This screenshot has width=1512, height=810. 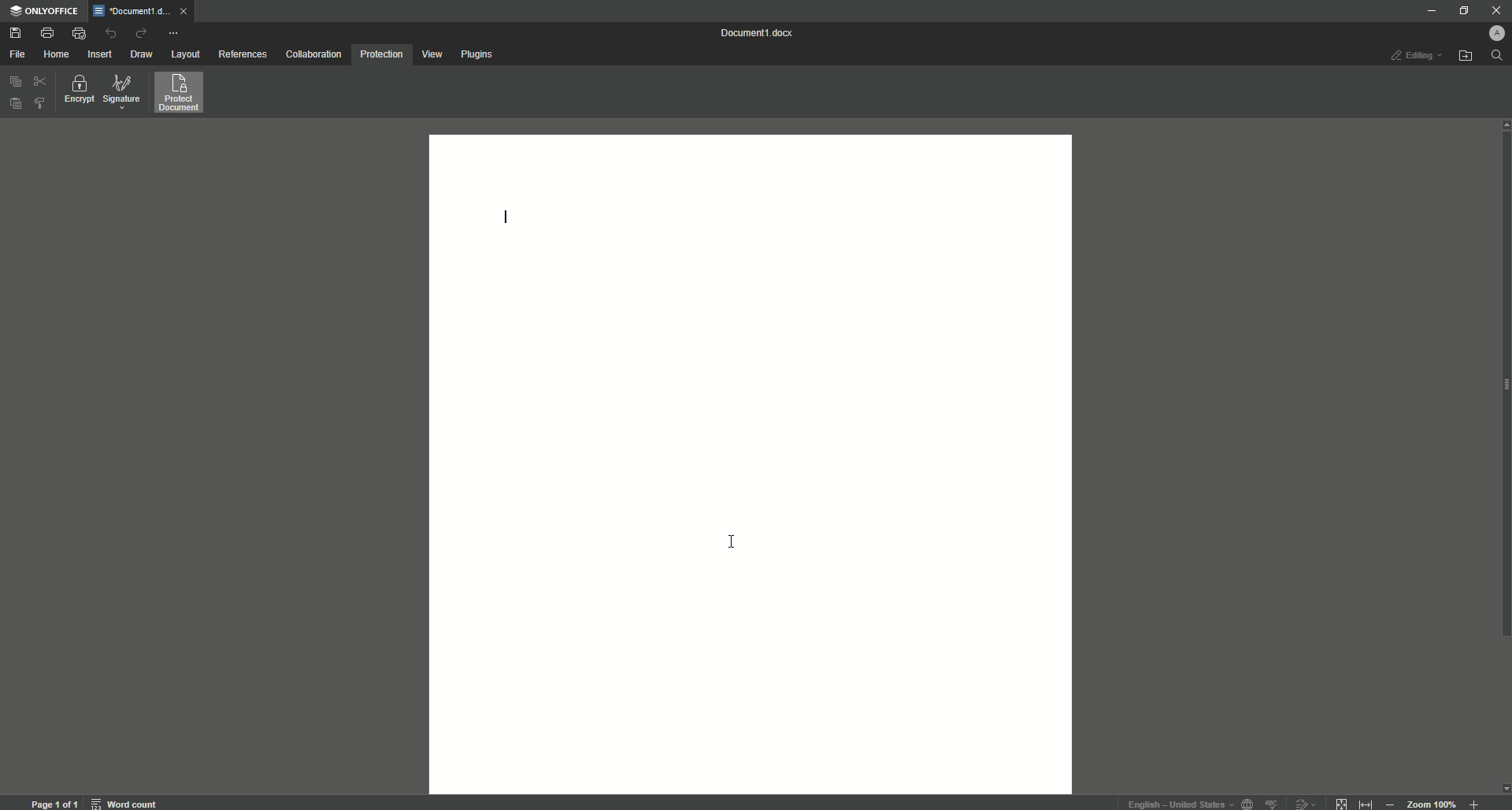 What do you see at coordinates (506, 219) in the screenshot?
I see `Text line` at bounding box center [506, 219].